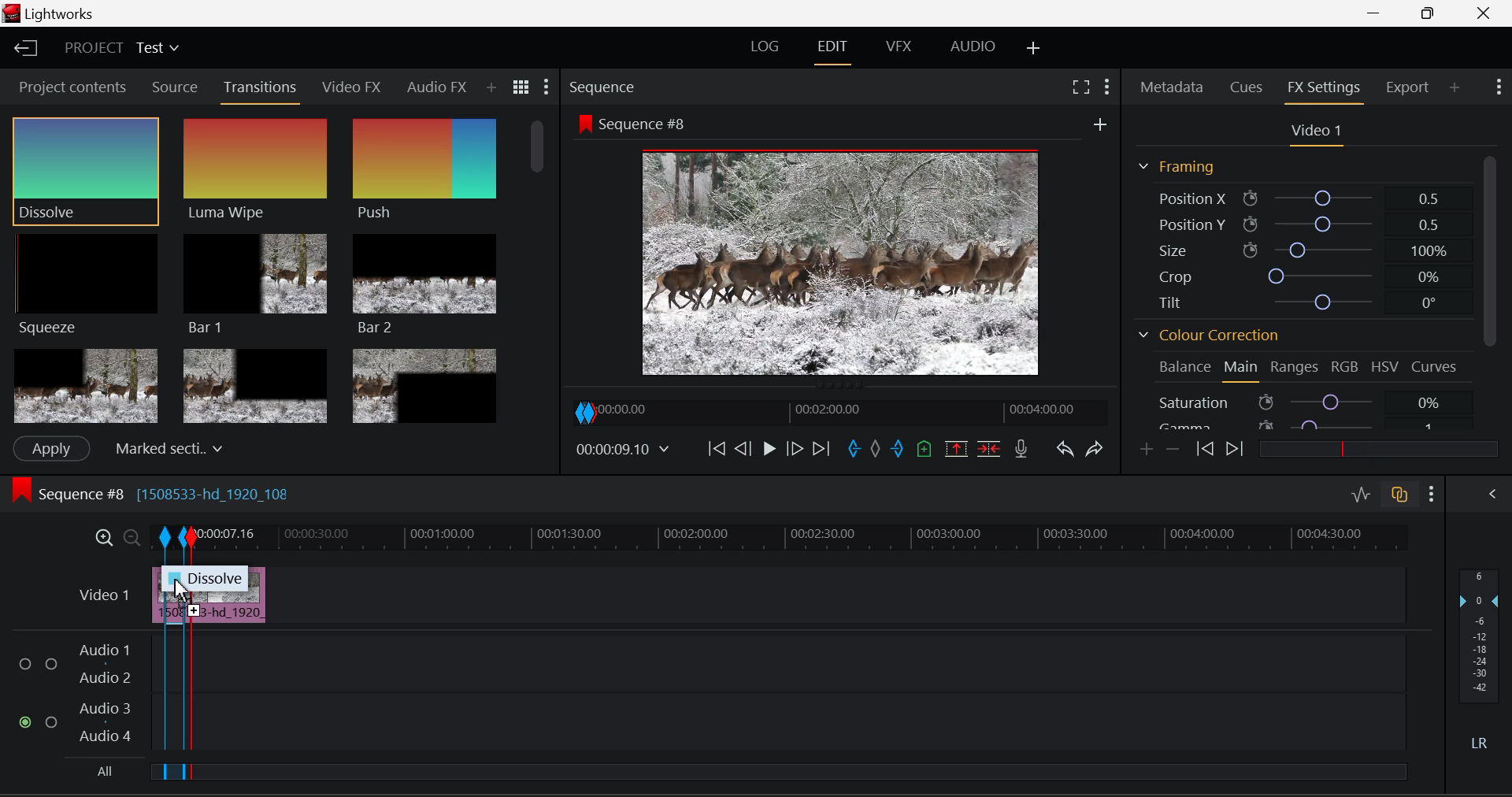  What do you see at coordinates (795, 450) in the screenshot?
I see `Go Forward` at bounding box center [795, 450].